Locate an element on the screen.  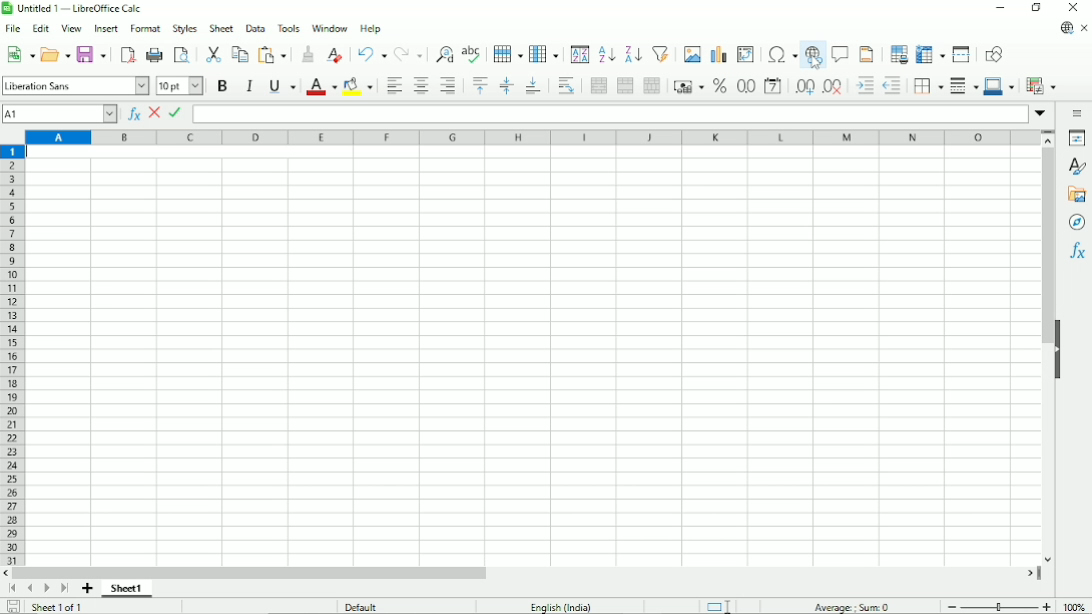
Cut is located at coordinates (214, 54).